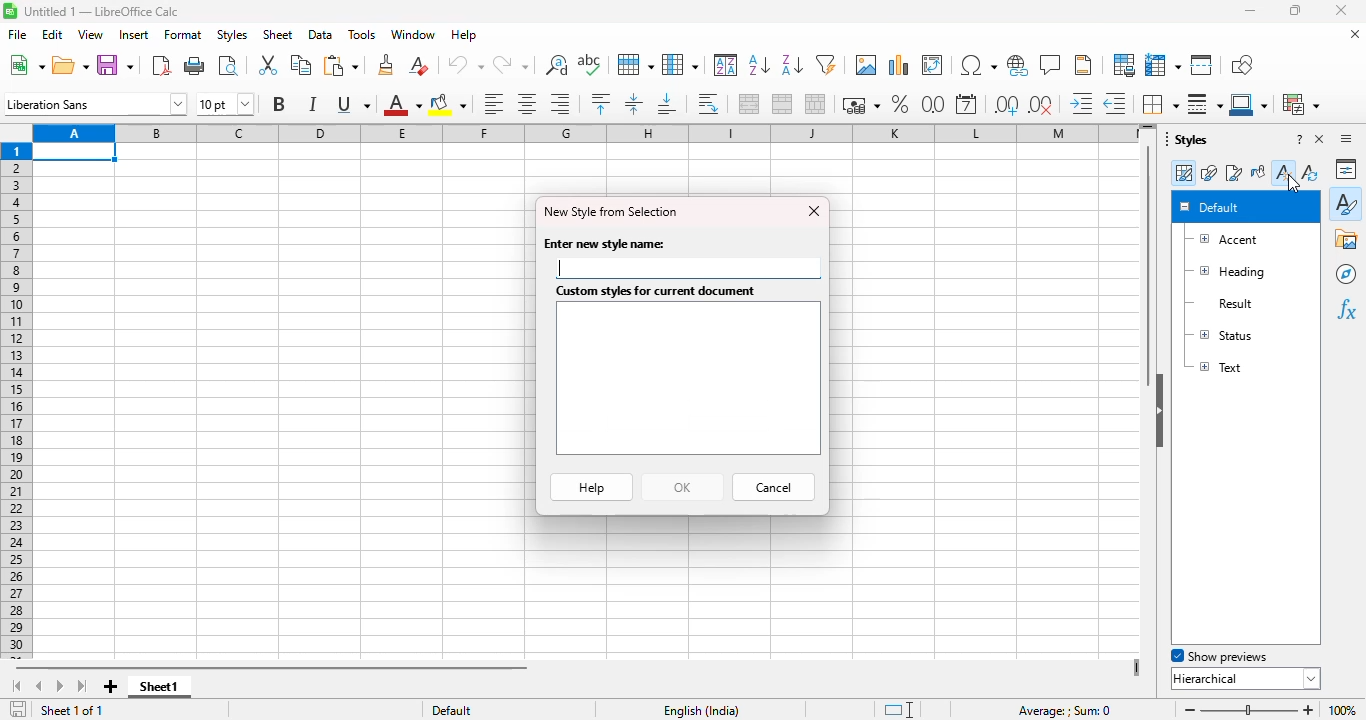  What do you see at coordinates (1202, 65) in the screenshot?
I see `split window` at bounding box center [1202, 65].